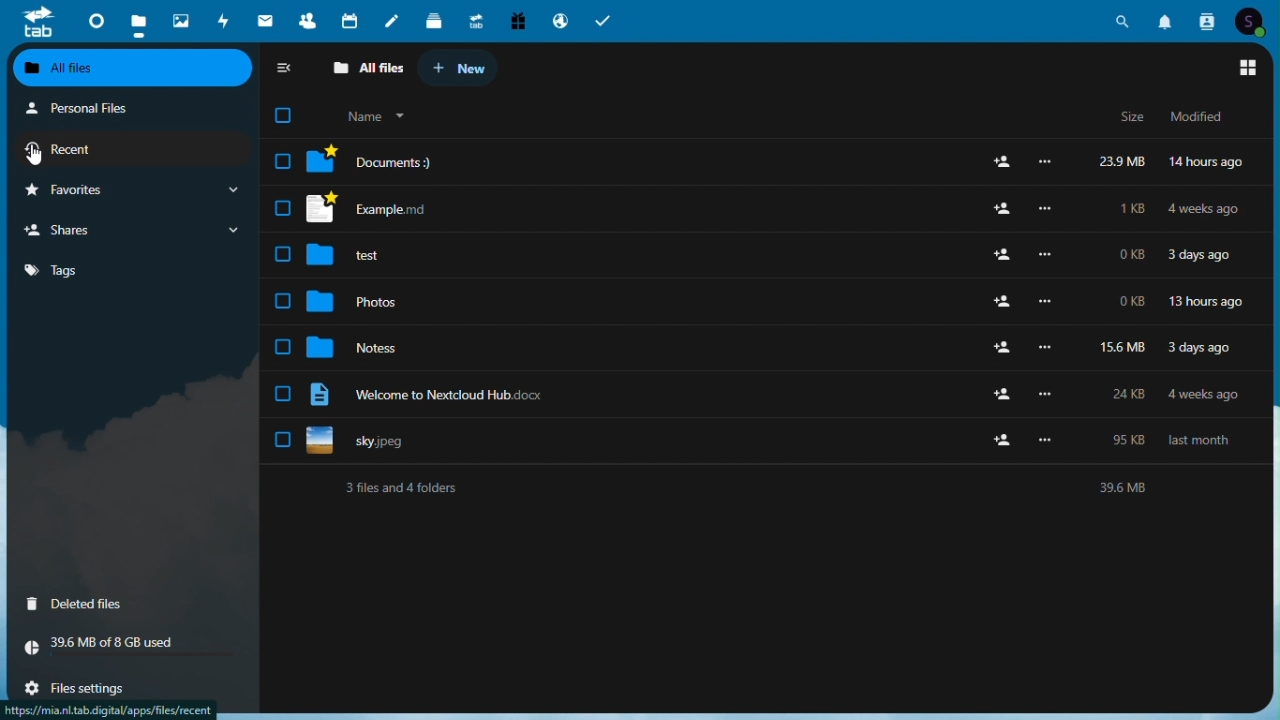  Describe the element at coordinates (1203, 117) in the screenshot. I see `modified` at that location.